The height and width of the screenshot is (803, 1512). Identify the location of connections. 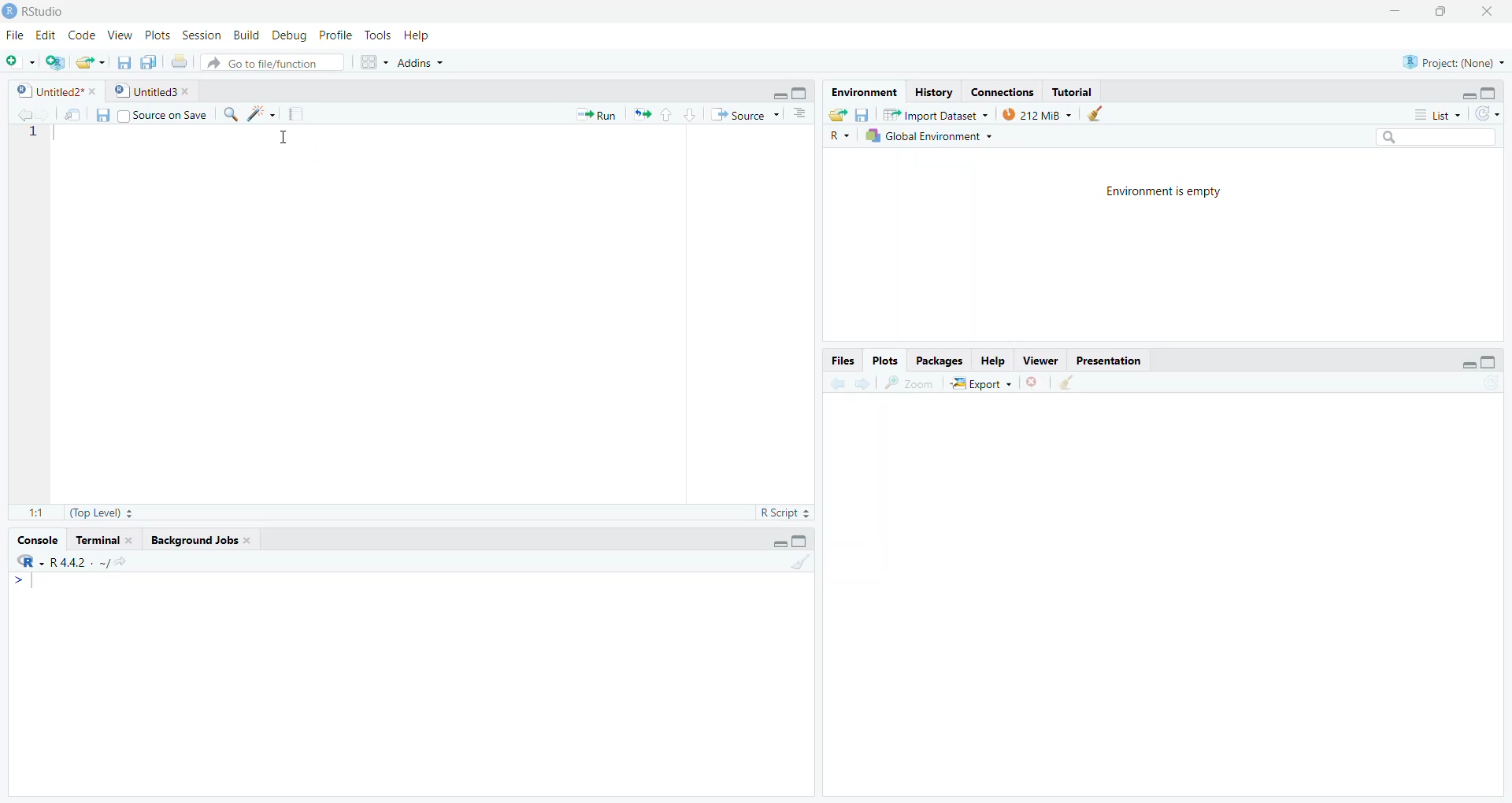
(999, 90).